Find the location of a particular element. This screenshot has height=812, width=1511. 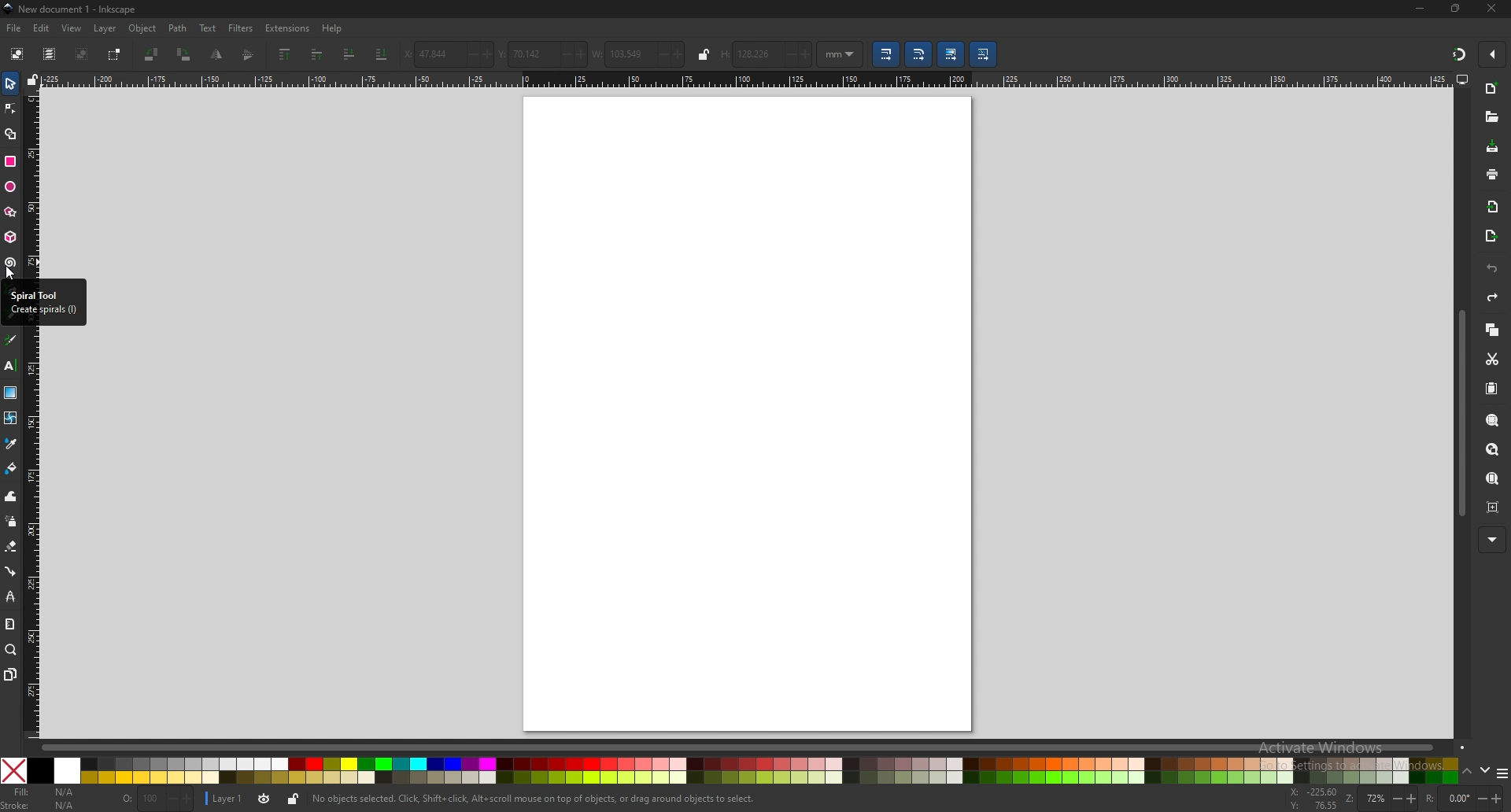

Y: 70.142 is located at coordinates (540, 52).